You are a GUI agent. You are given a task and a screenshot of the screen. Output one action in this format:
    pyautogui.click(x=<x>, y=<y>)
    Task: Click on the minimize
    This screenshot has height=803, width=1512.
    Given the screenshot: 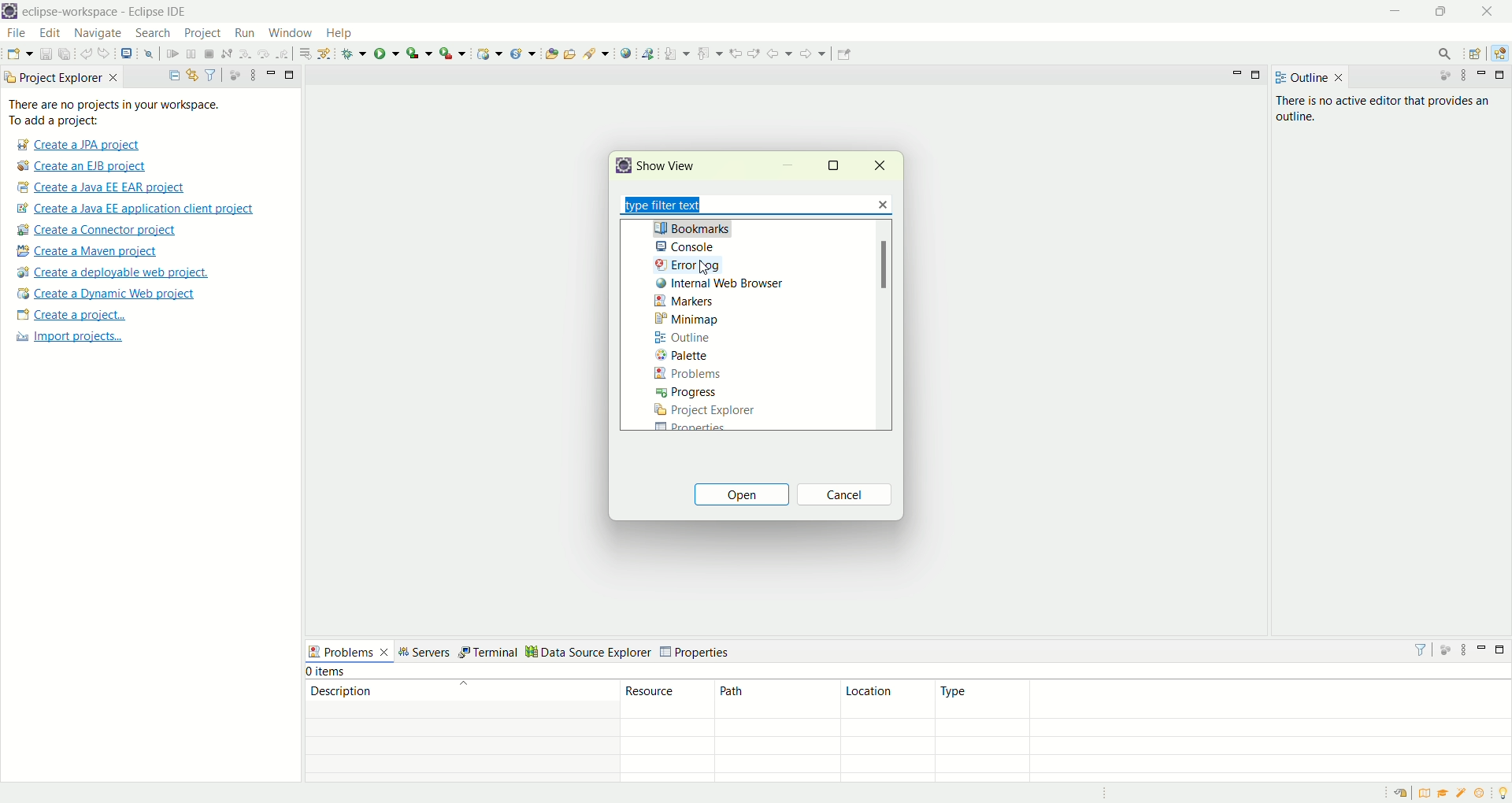 What is the action you would take?
    pyautogui.click(x=1479, y=650)
    